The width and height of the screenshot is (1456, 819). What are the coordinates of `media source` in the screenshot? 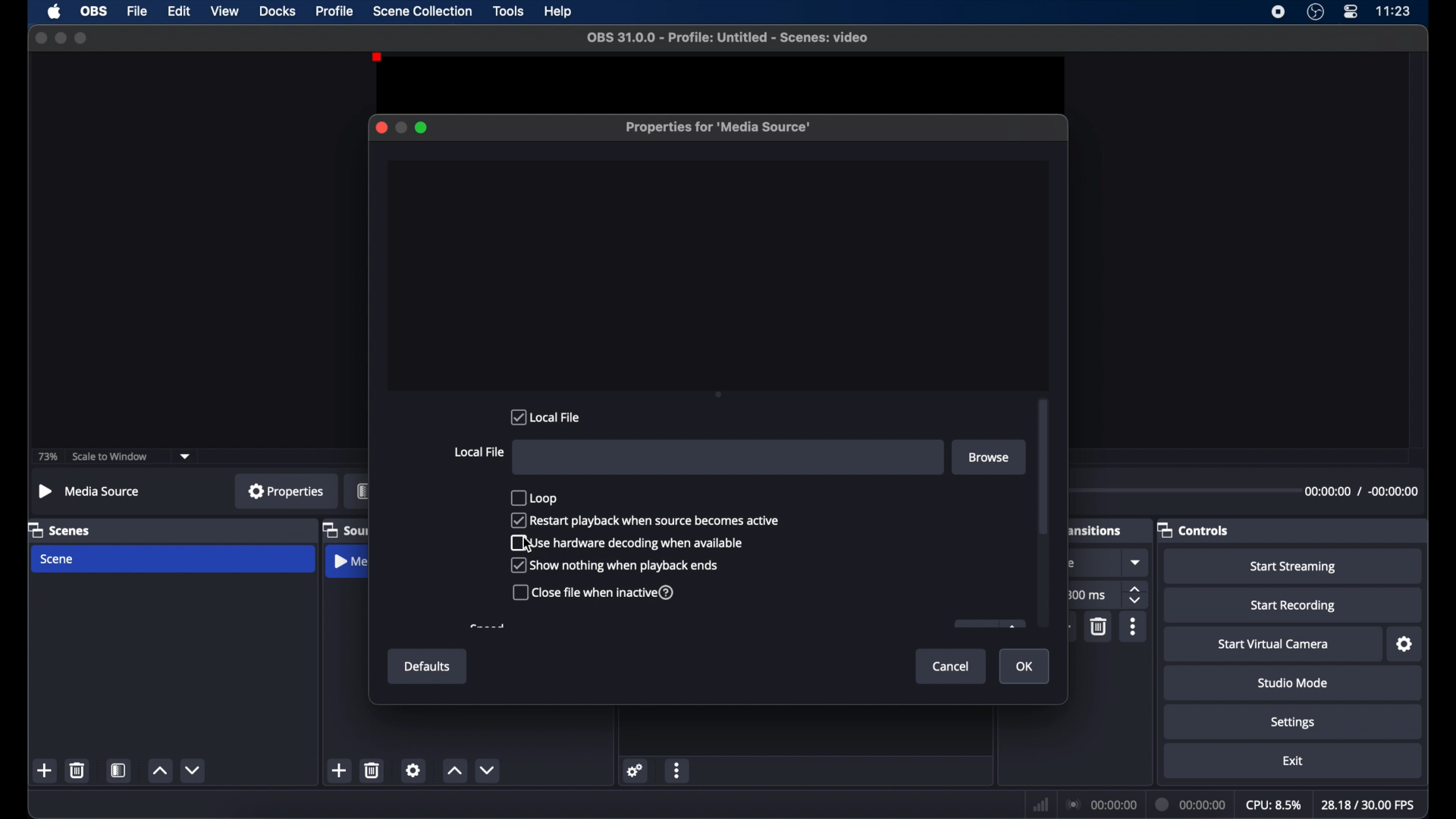 It's located at (350, 560).